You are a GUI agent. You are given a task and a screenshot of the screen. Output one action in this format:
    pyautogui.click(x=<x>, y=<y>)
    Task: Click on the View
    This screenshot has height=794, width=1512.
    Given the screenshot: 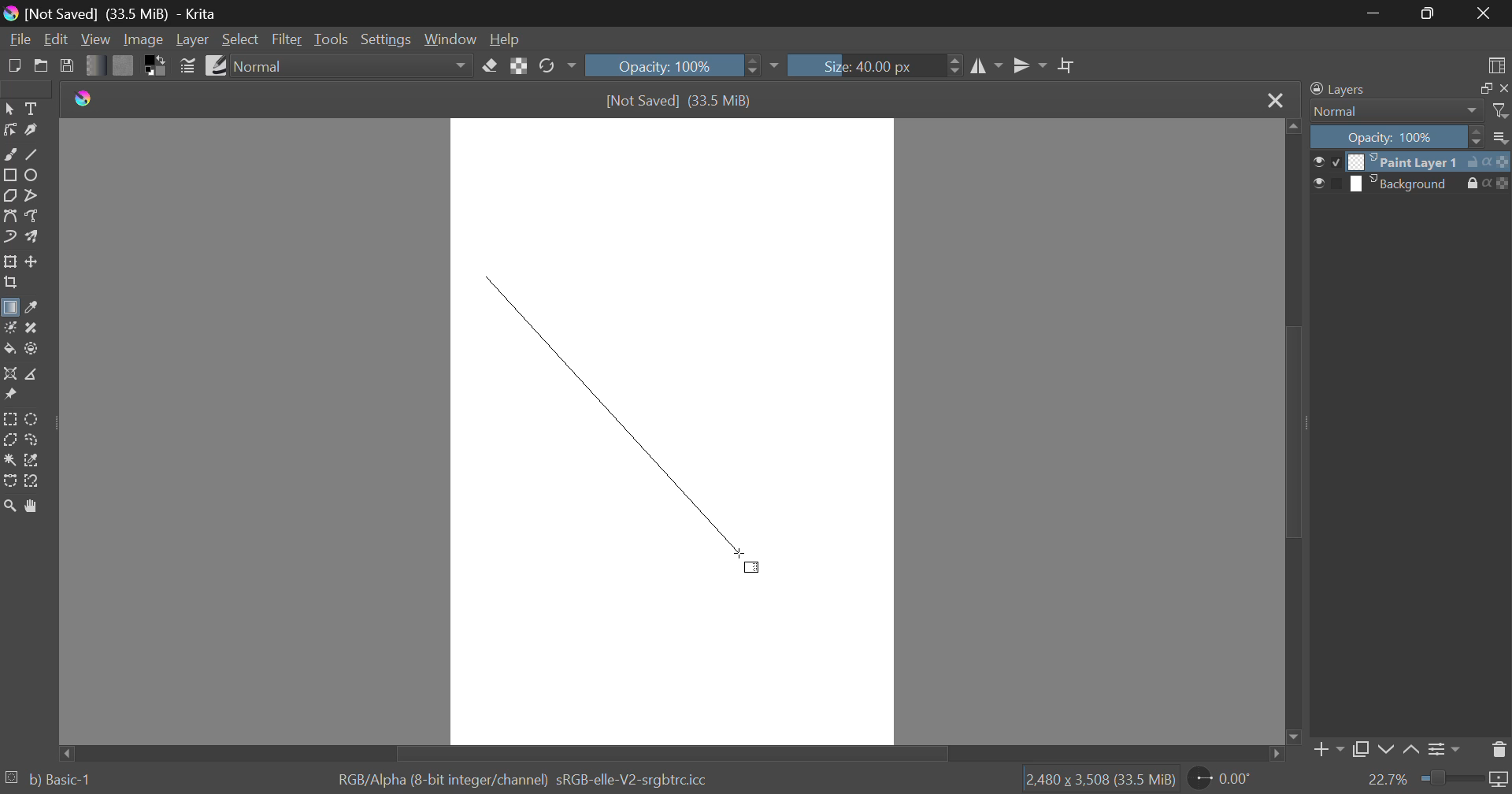 What is the action you would take?
    pyautogui.click(x=96, y=39)
    